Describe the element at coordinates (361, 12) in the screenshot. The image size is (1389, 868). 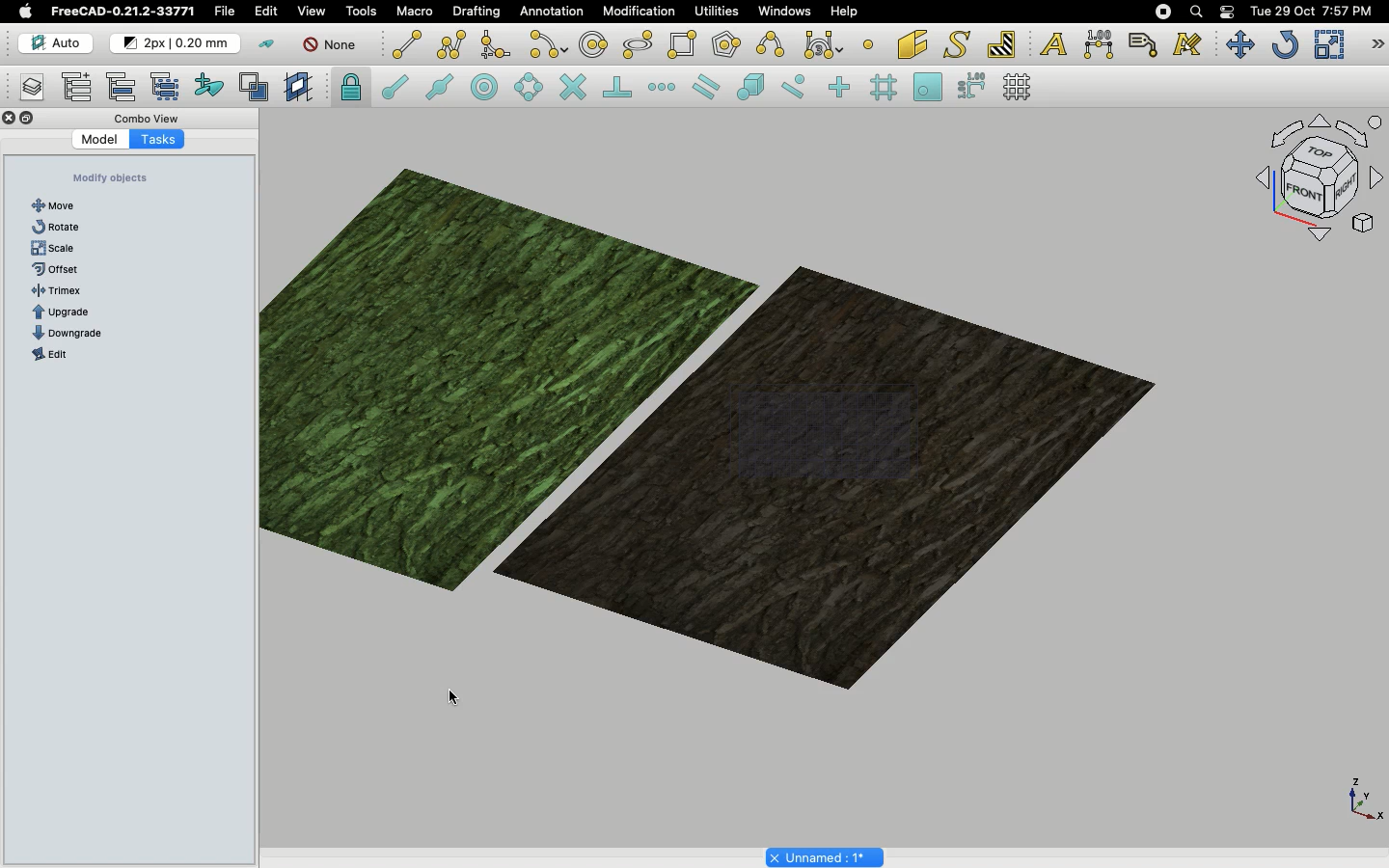
I see `Tools` at that location.